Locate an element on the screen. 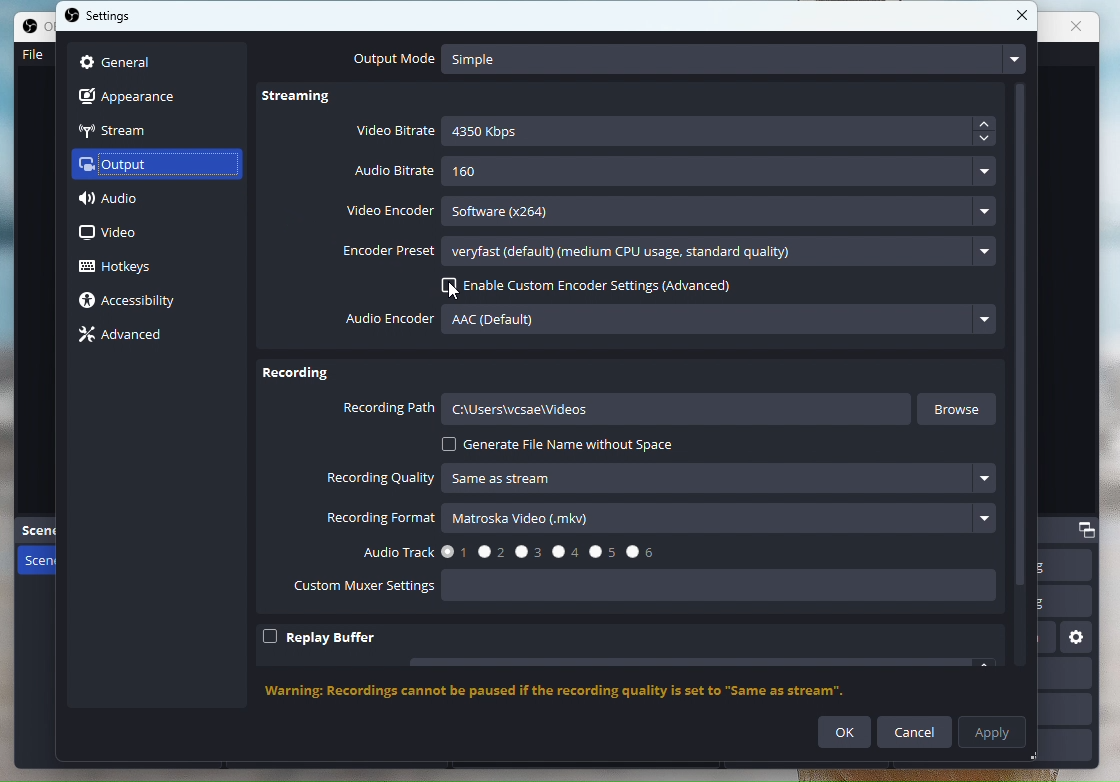  Apply is located at coordinates (994, 731).